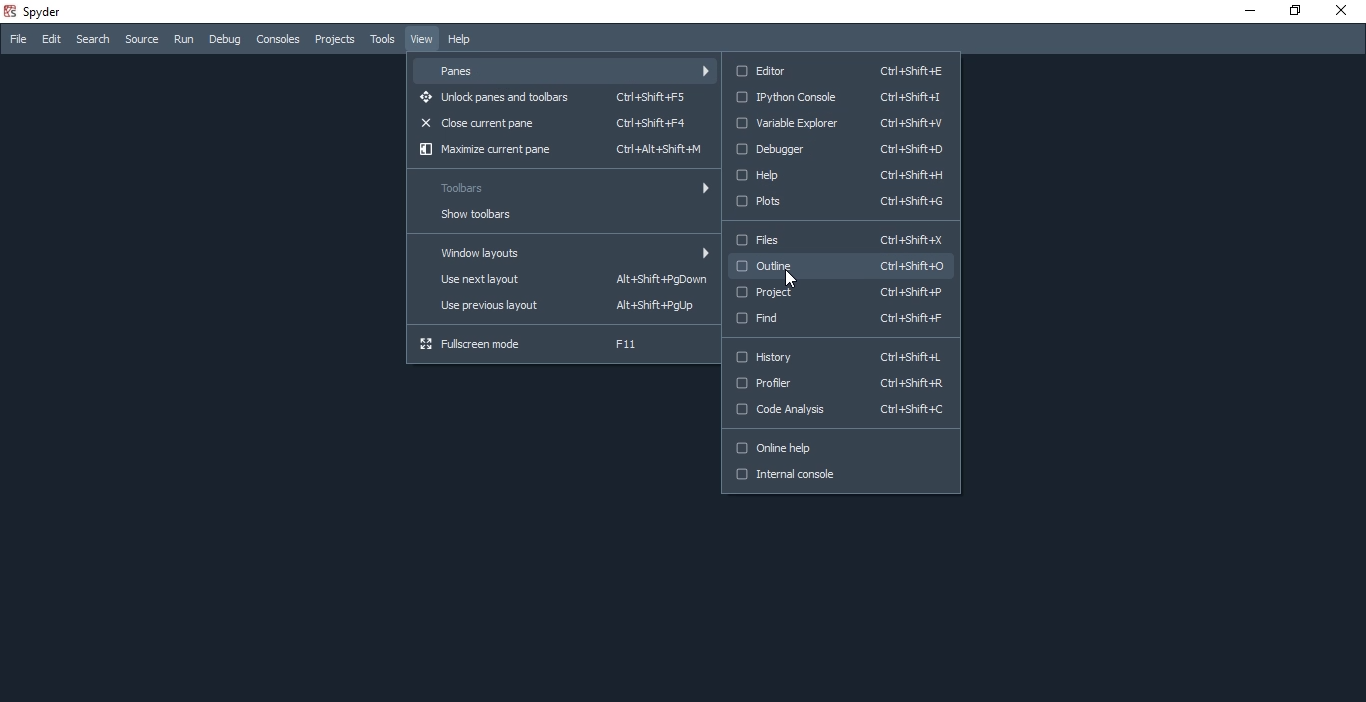 The height and width of the screenshot is (702, 1366). I want to click on Outline, so click(843, 264).